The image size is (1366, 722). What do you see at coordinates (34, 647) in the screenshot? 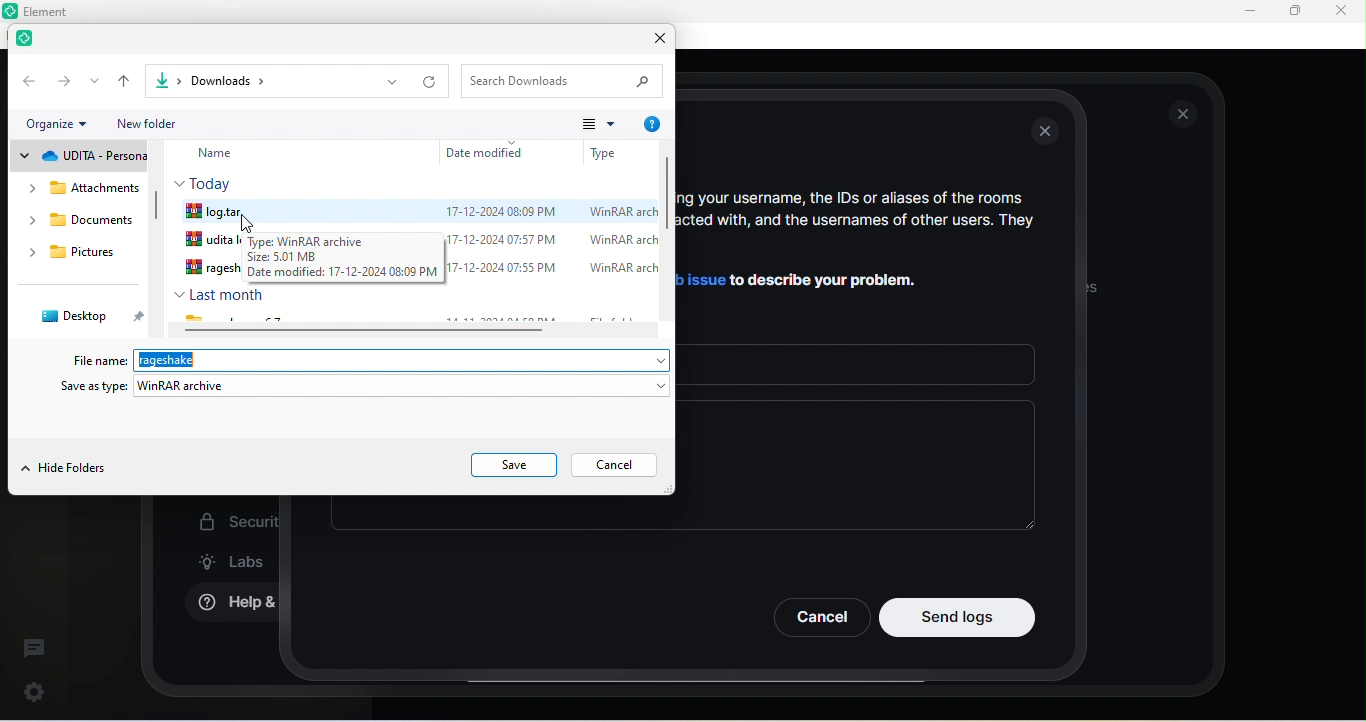
I see `thread` at bounding box center [34, 647].